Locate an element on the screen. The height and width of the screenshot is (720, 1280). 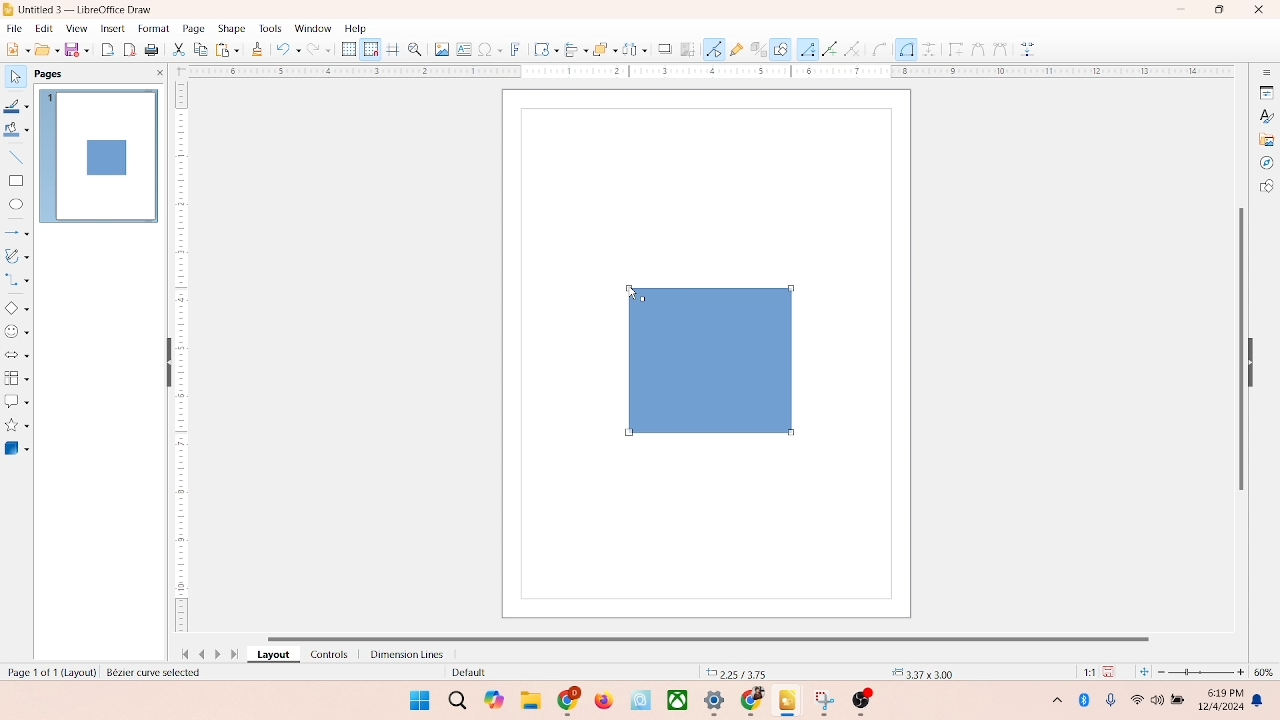
textbox is located at coordinates (463, 51).